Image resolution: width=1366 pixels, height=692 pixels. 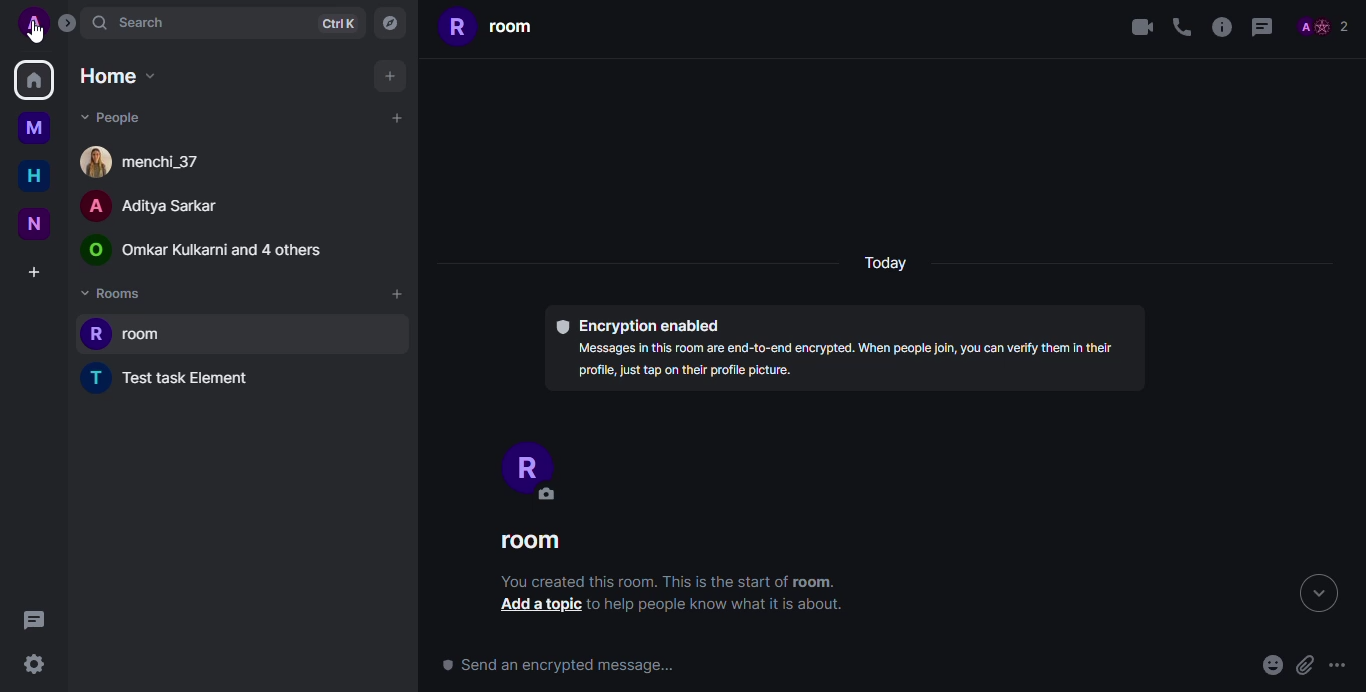 What do you see at coordinates (111, 117) in the screenshot?
I see `people dropdown` at bounding box center [111, 117].